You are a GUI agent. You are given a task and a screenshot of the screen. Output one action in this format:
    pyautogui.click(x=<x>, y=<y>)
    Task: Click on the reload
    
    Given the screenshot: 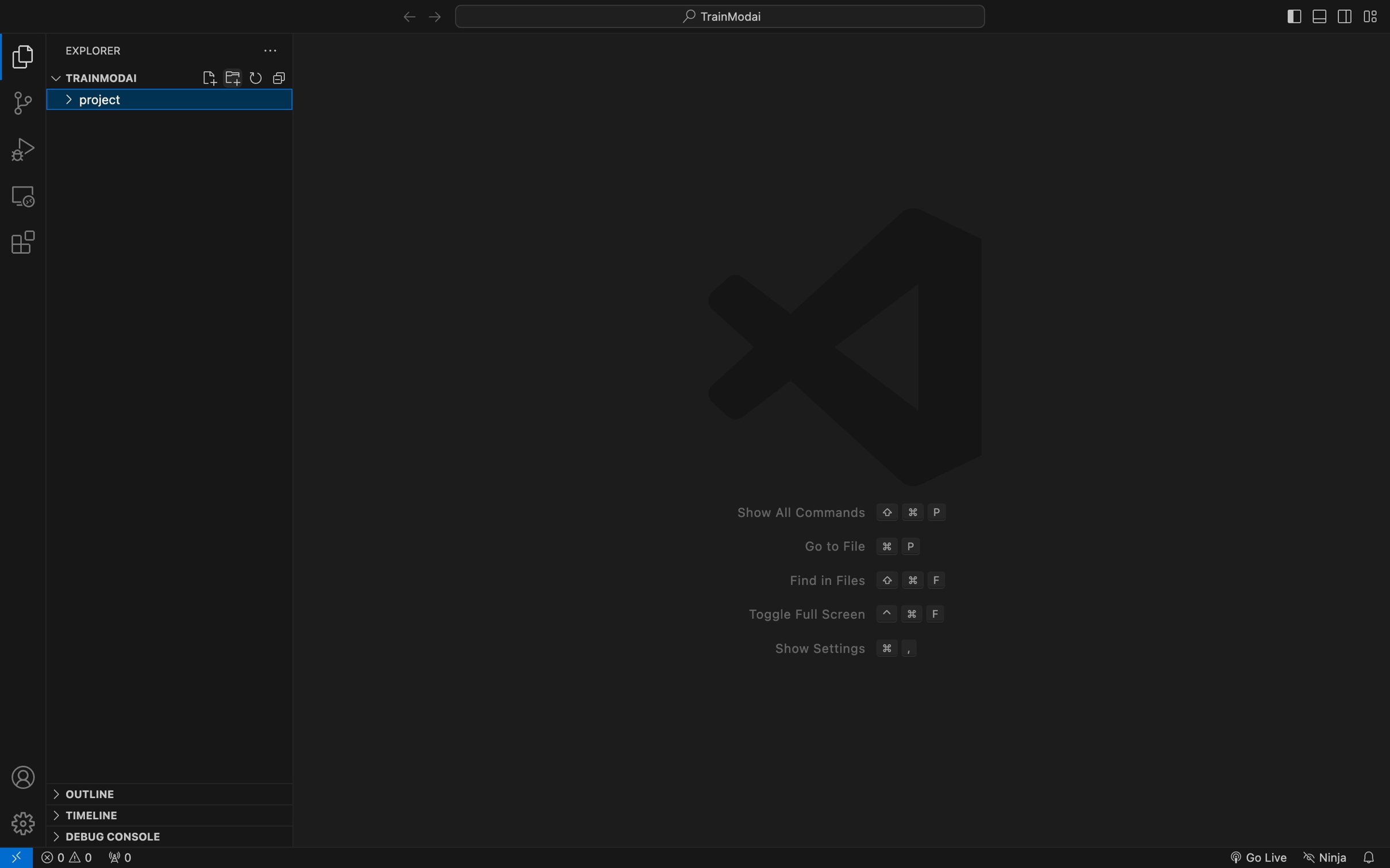 What is the action you would take?
    pyautogui.click(x=257, y=77)
    